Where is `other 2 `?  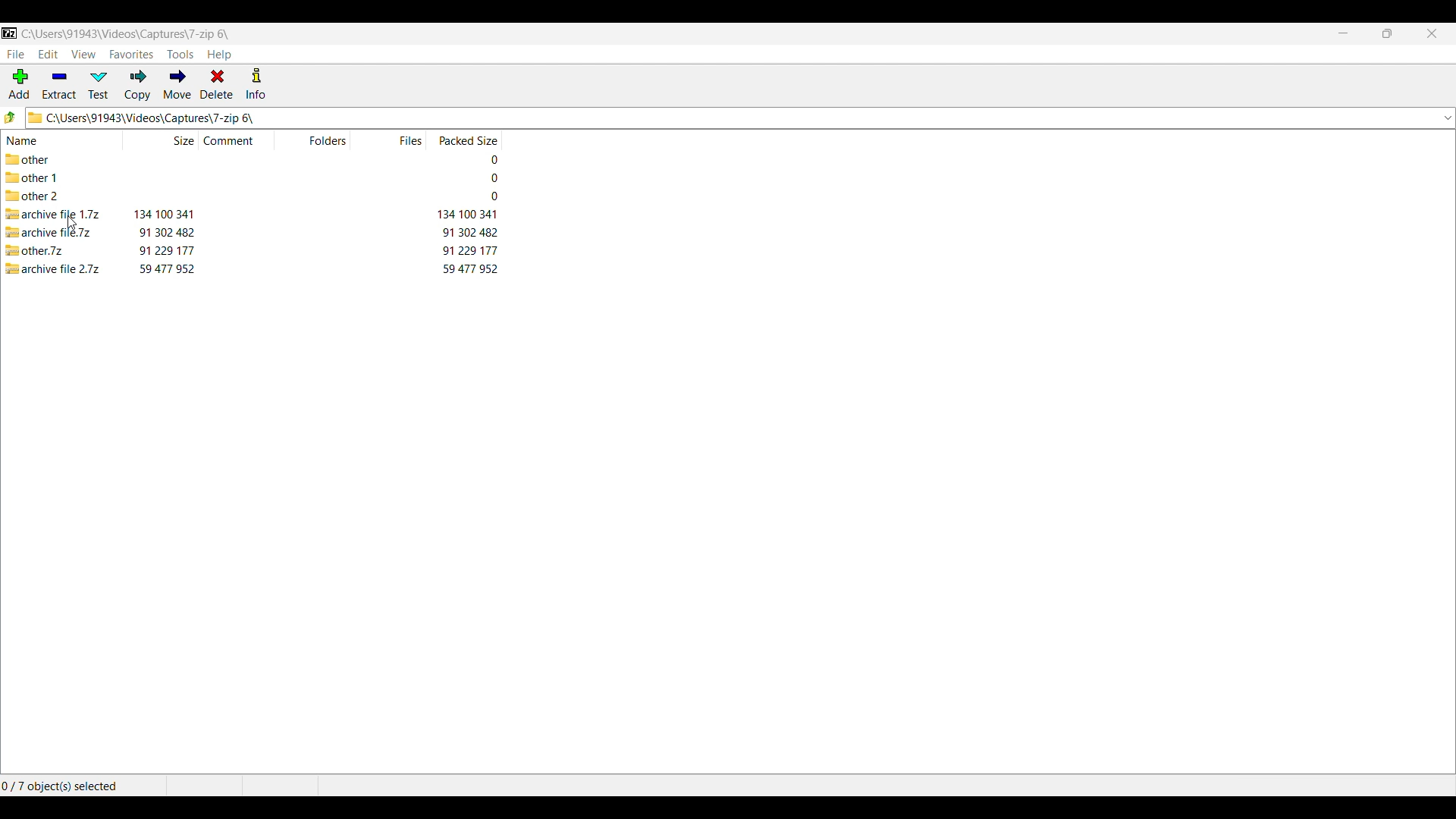
other 2  is located at coordinates (33, 197).